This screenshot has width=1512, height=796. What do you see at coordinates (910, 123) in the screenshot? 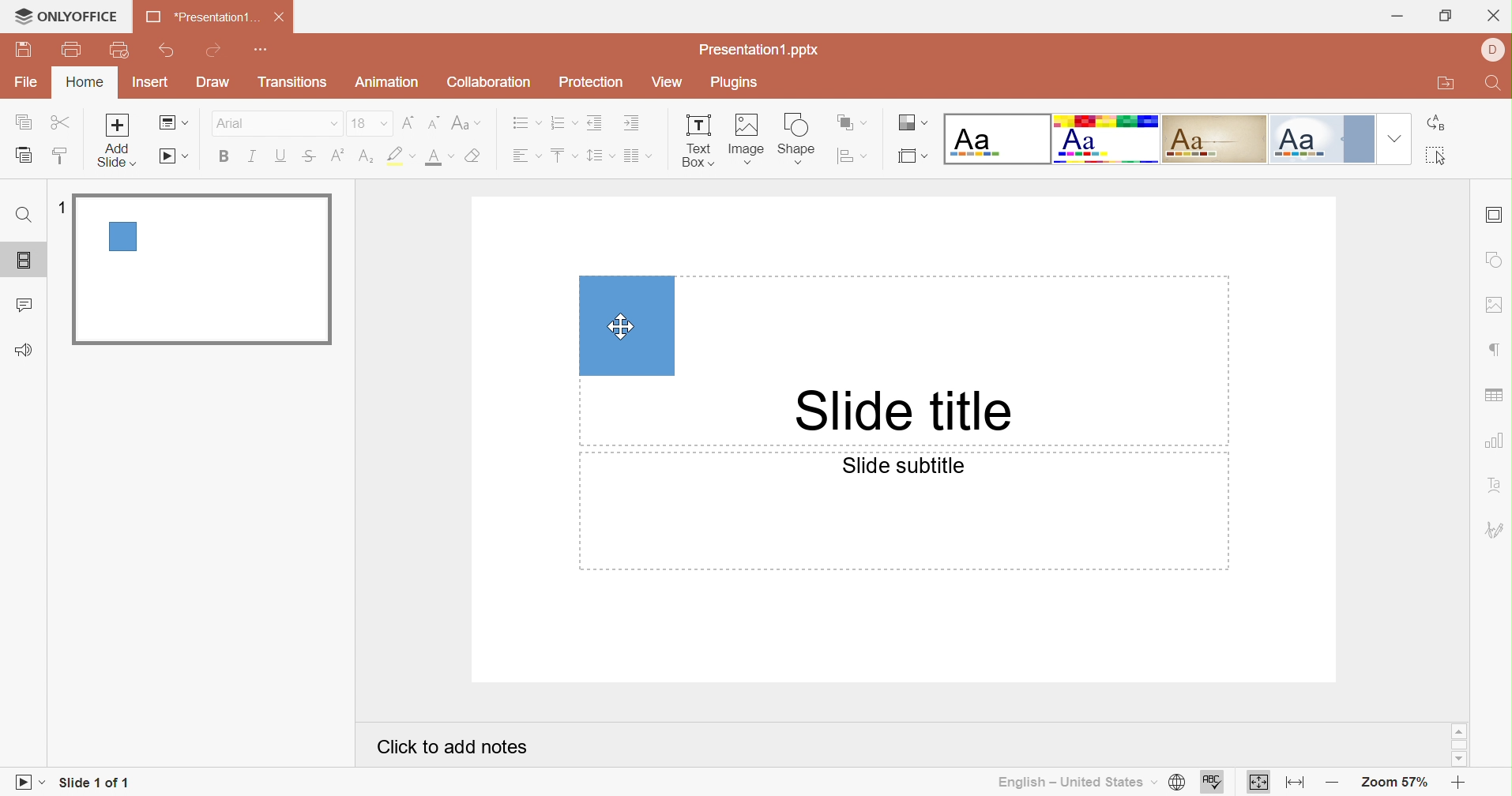
I see `Change color theme` at bounding box center [910, 123].